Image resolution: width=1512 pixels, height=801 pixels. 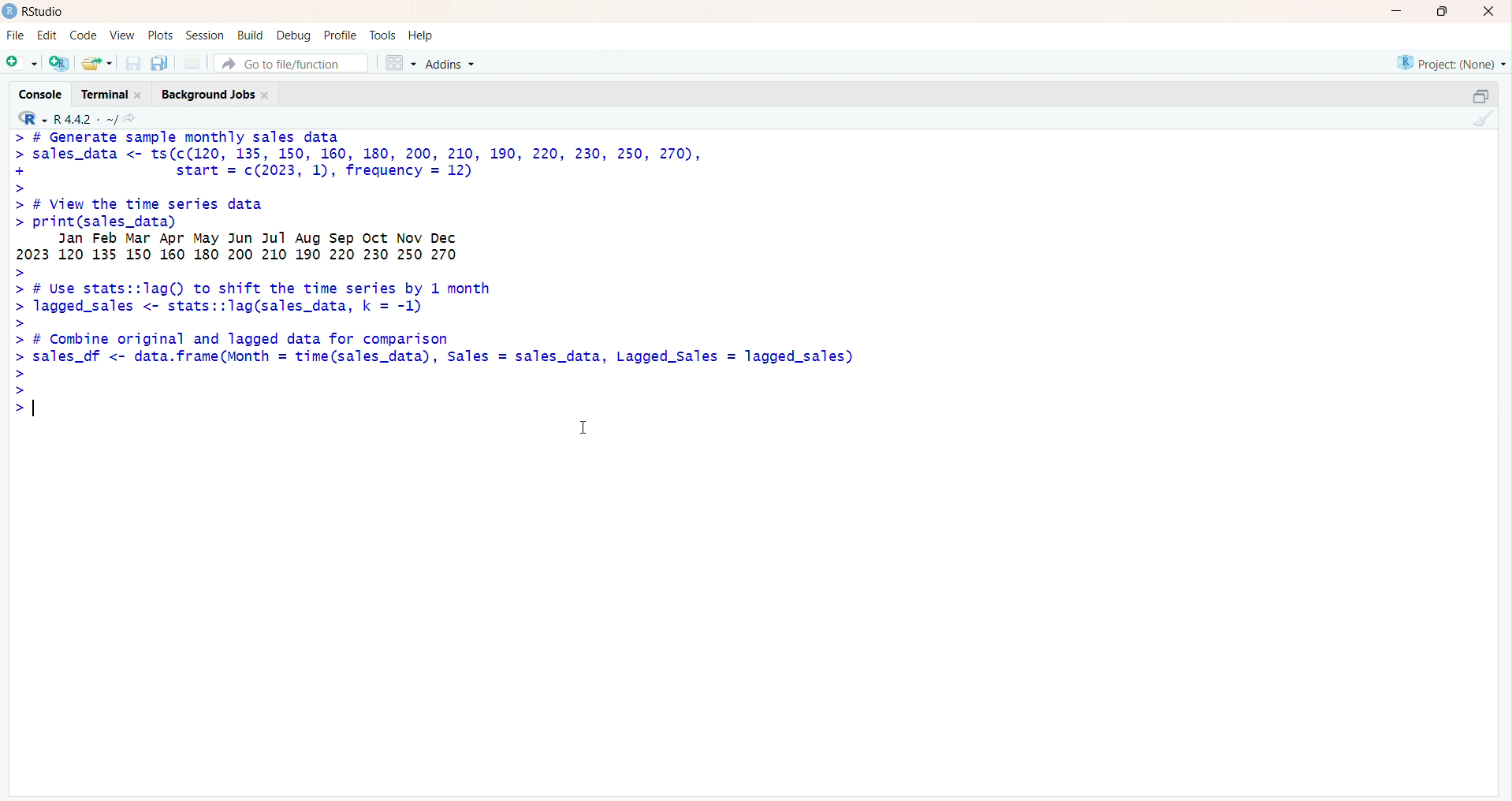 What do you see at coordinates (294, 35) in the screenshot?
I see `debug` at bounding box center [294, 35].